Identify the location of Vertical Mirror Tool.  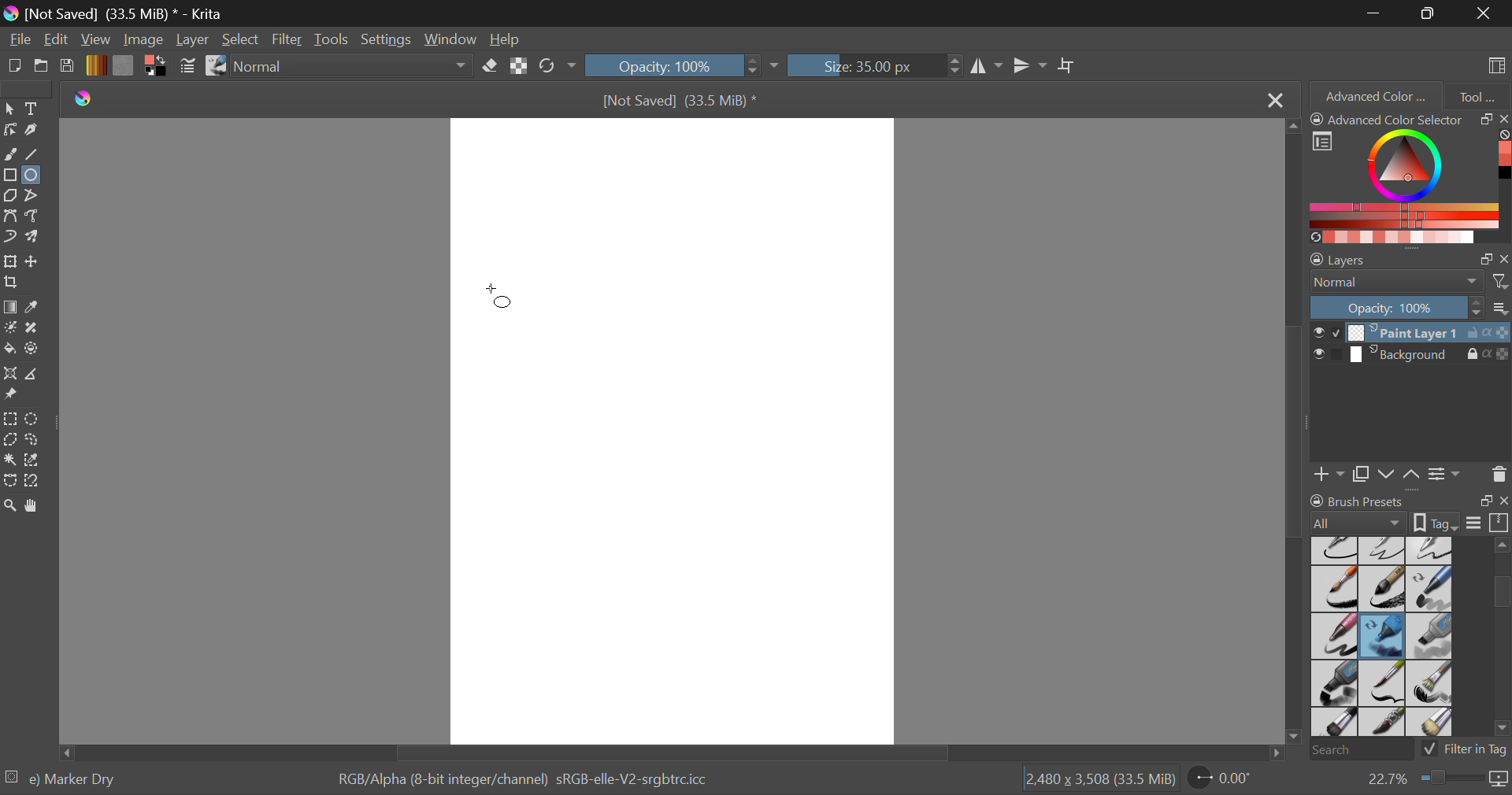
(1029, 66).